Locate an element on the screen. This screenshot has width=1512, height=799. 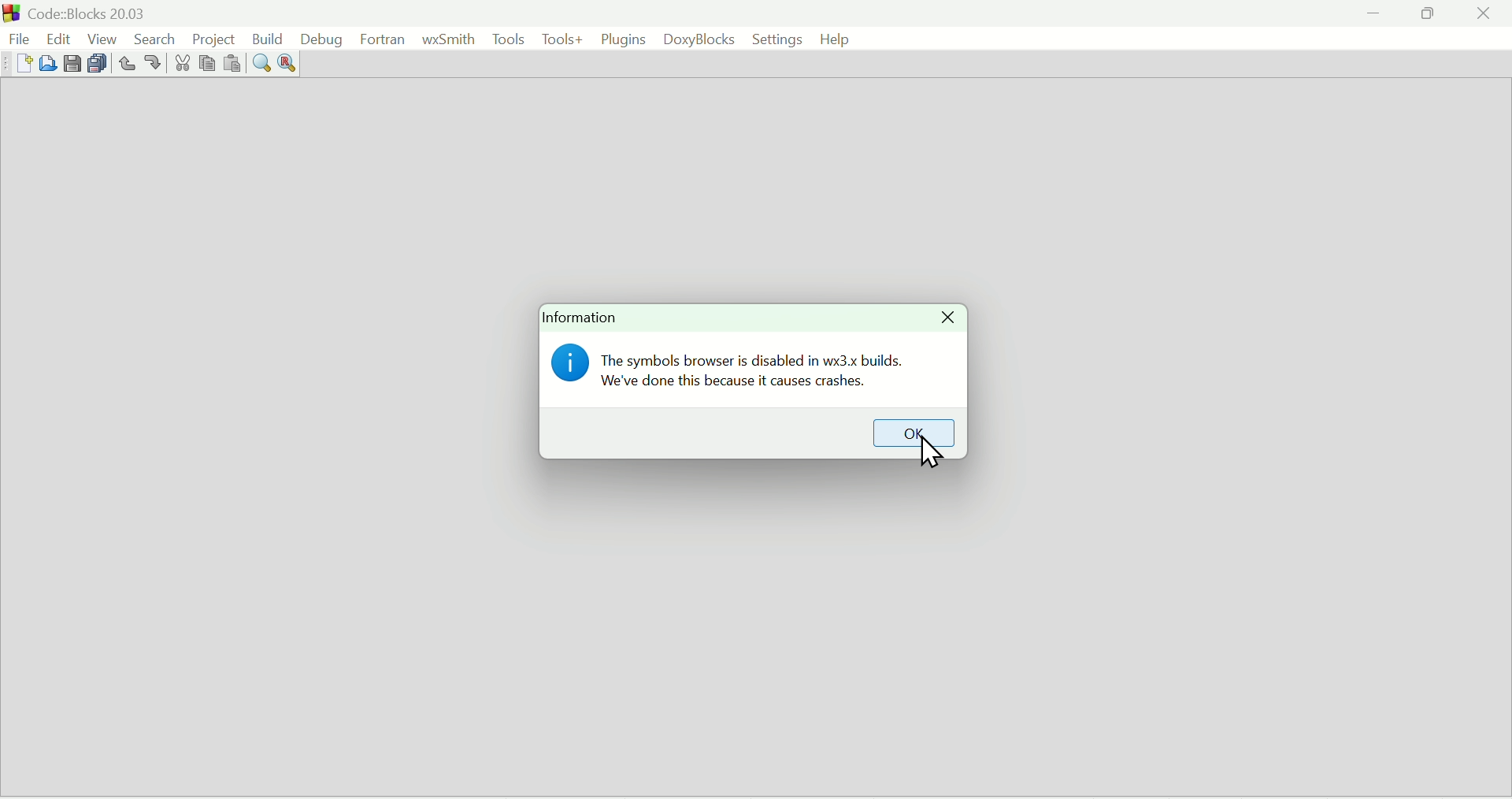
Cursor is located at coordinates (929, 454).